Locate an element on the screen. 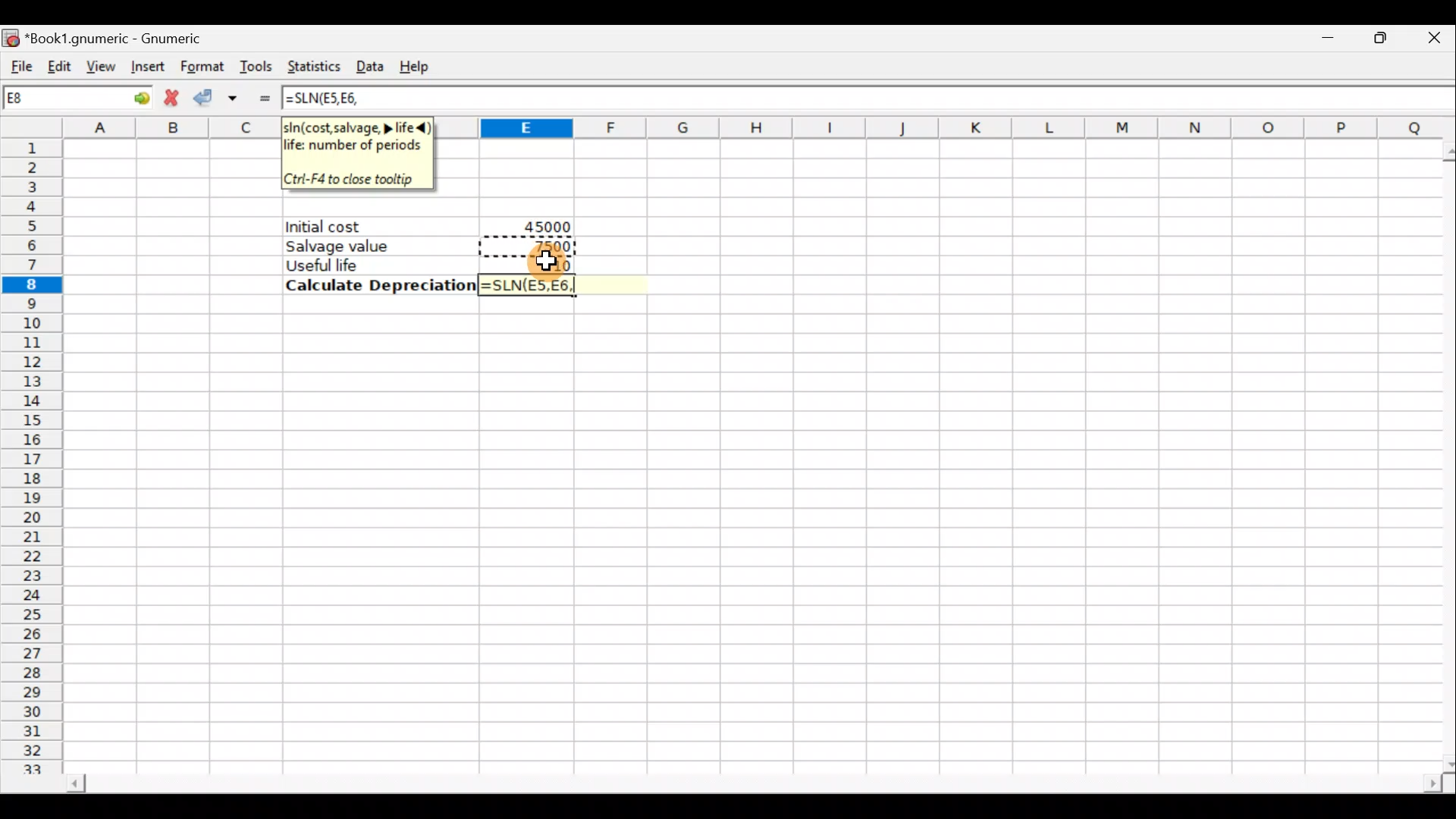 The image size is (1456, 819). View is located at coordinates (100, 64).